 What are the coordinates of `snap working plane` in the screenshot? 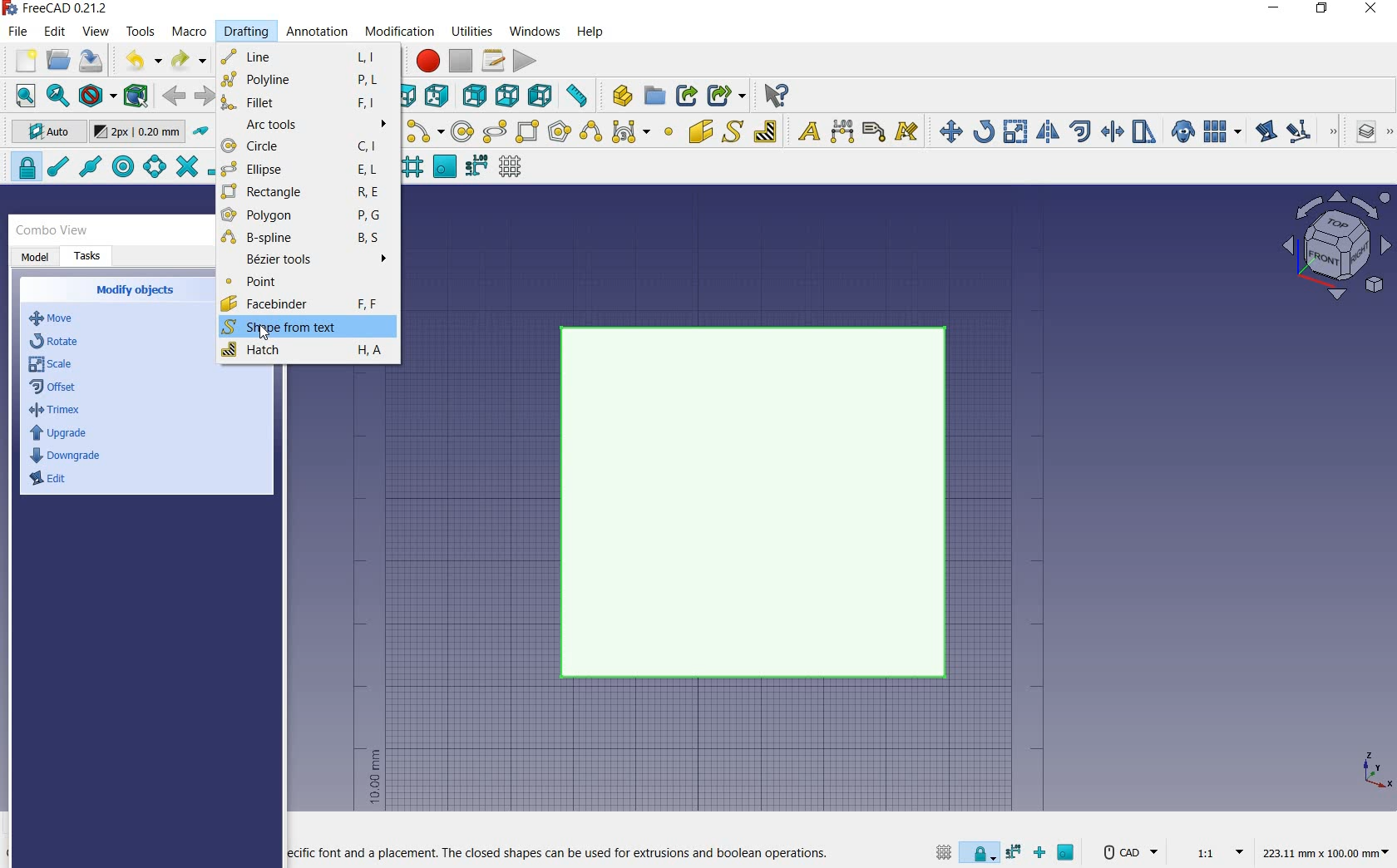 It's located at (443, 167).